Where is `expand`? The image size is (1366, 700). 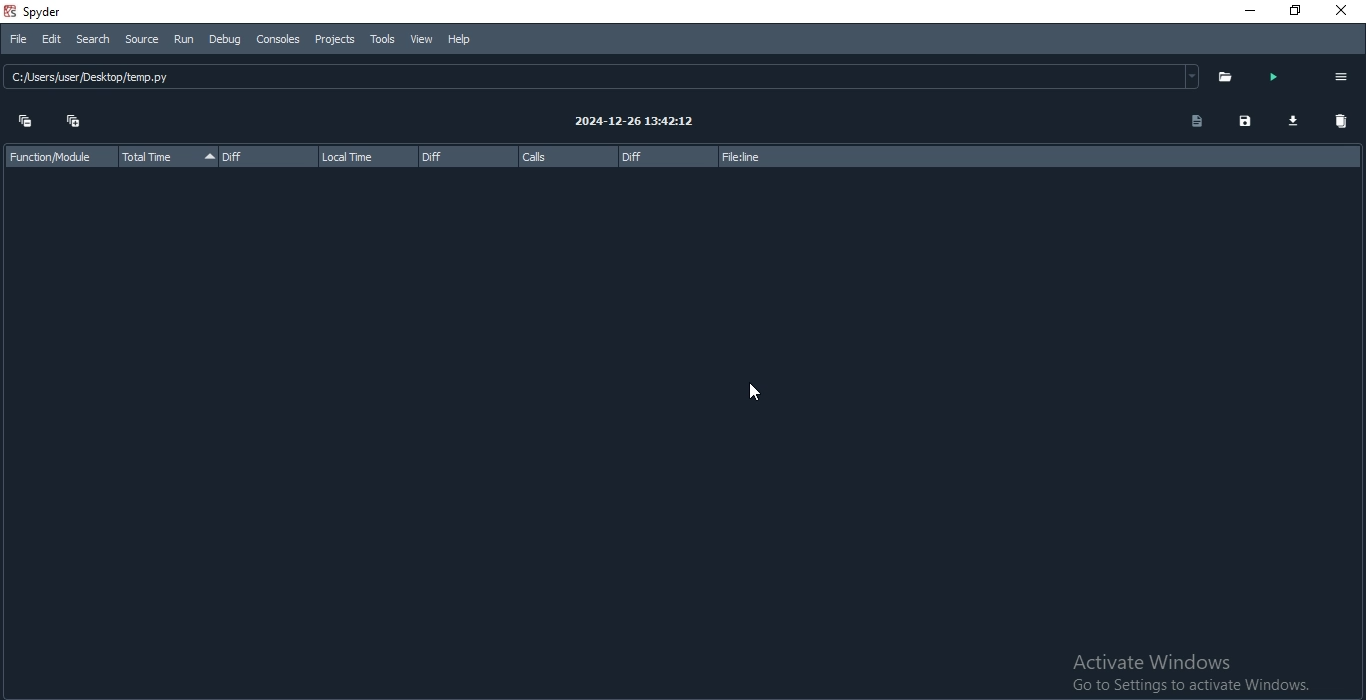 expand is located at coordinates (76, 121).